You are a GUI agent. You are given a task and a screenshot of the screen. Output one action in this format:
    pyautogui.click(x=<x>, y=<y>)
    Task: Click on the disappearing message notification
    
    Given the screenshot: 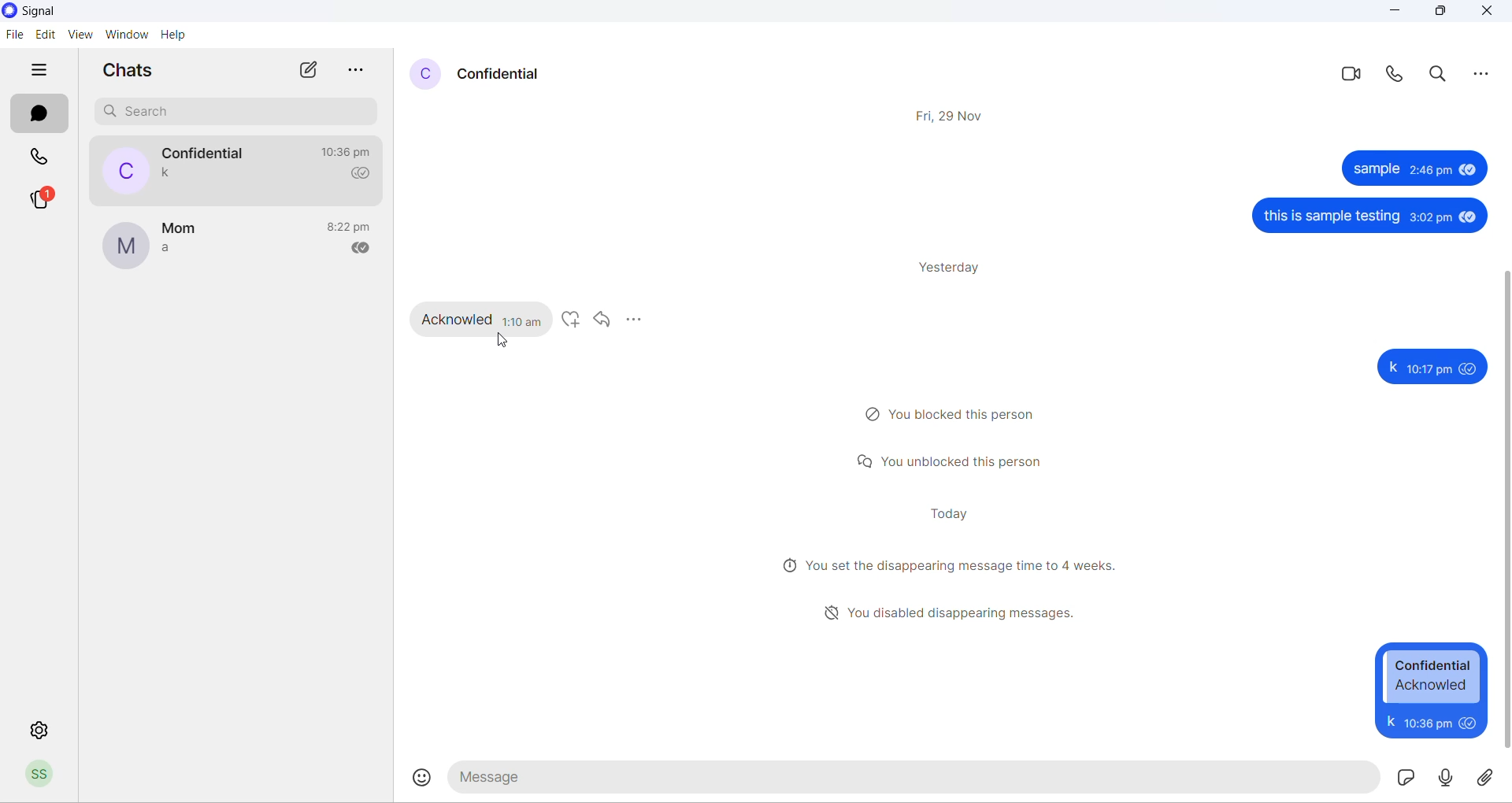 What is the action you would take?
    pyautogui.click(x=956, y=611)
    